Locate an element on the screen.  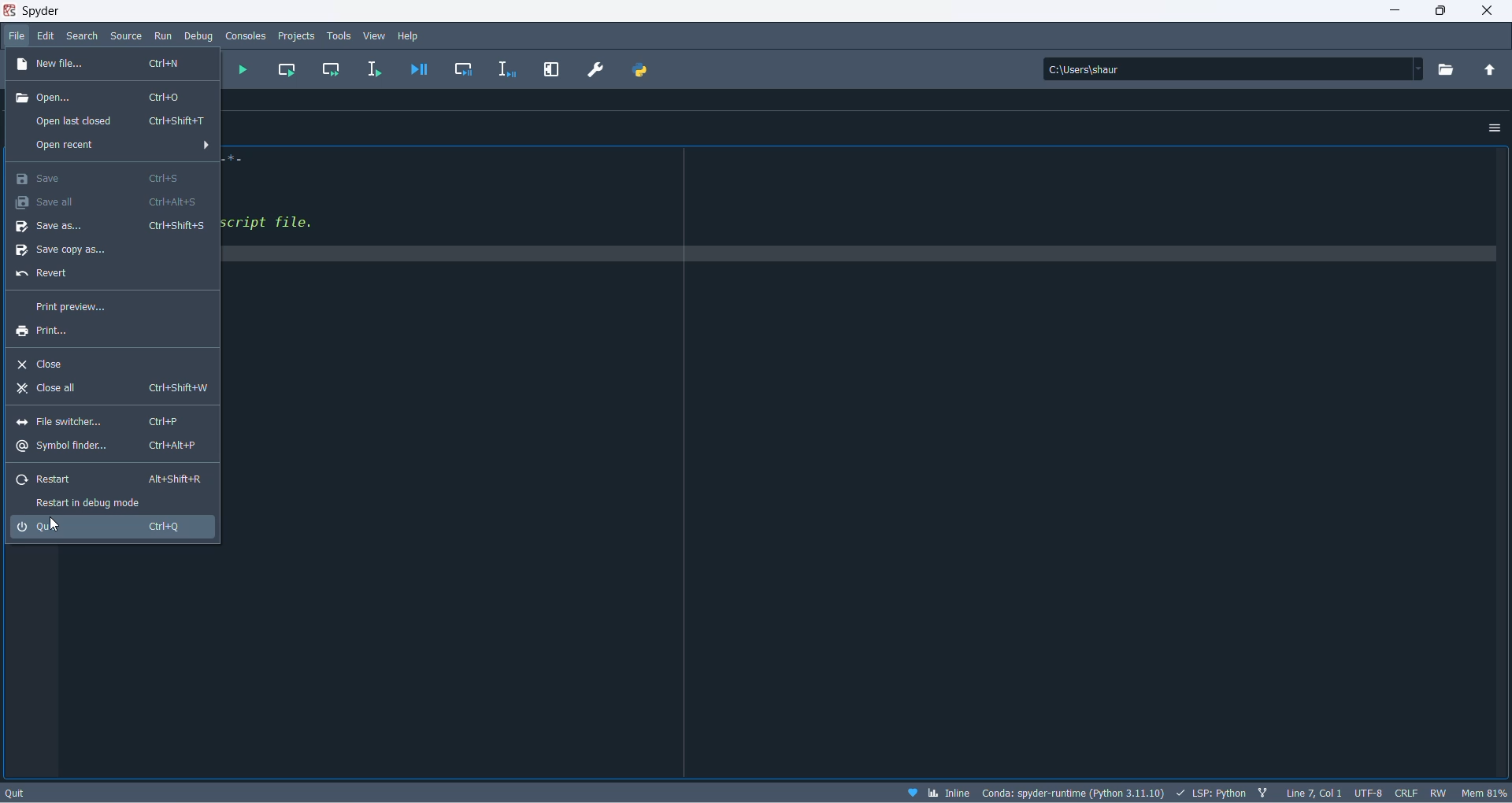
tools is located at coordinates (339, 35).